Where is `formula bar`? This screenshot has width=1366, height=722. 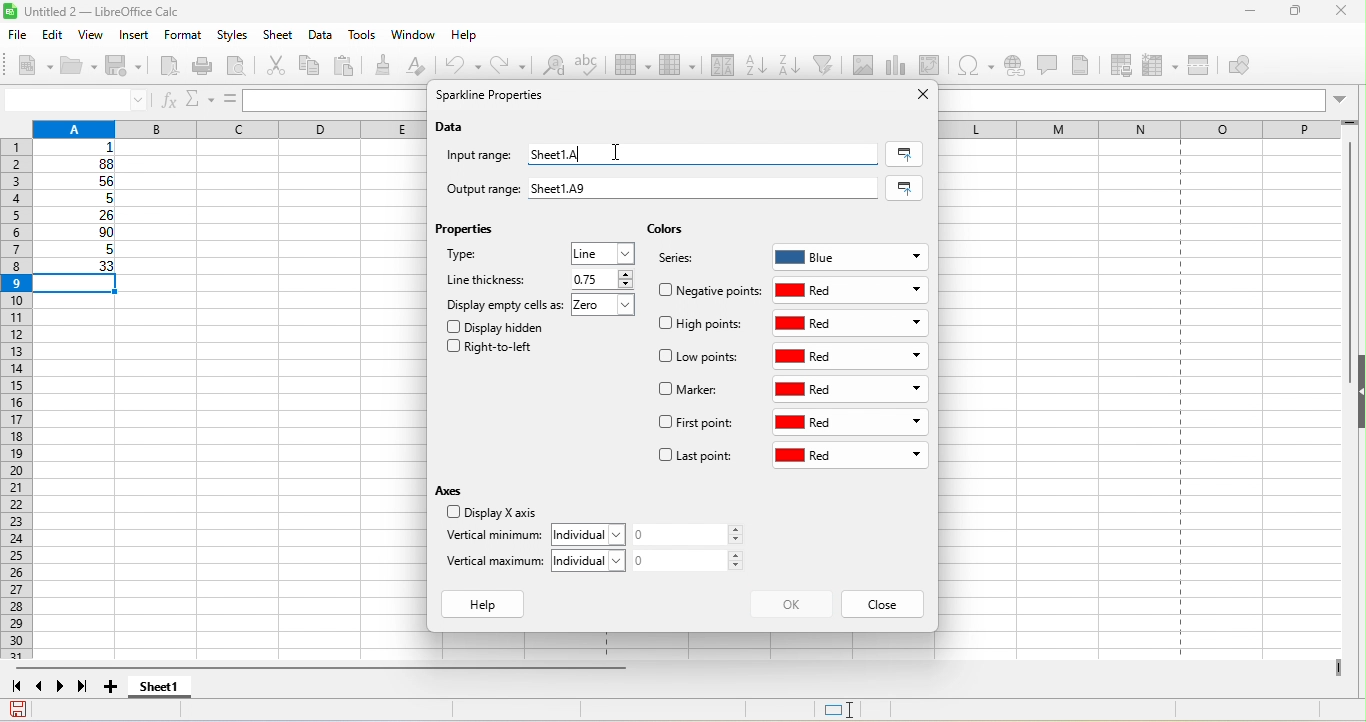
formula bar is located at coordinates (1149, 99).